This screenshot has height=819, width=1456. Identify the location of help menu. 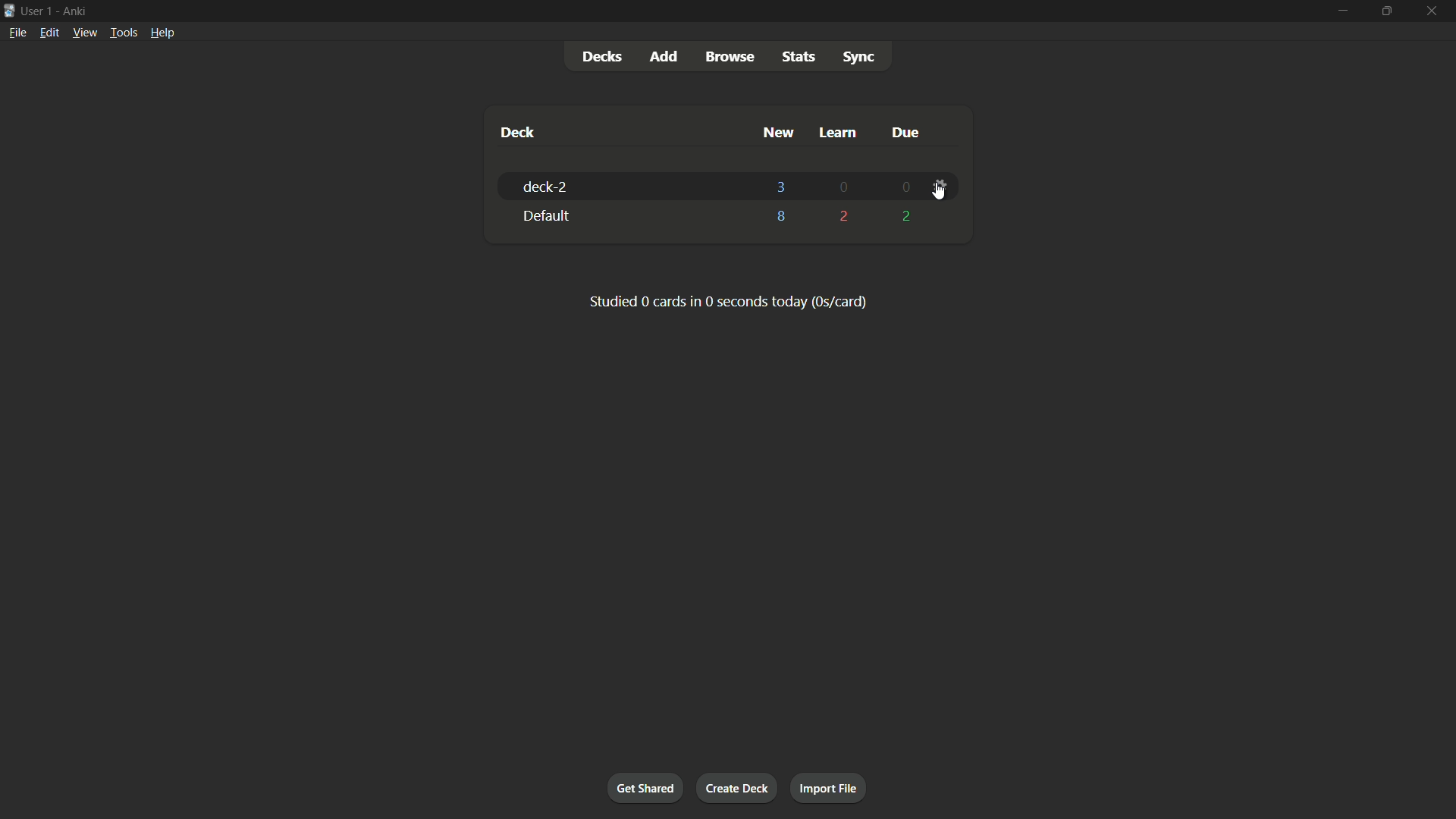
(164, 33).